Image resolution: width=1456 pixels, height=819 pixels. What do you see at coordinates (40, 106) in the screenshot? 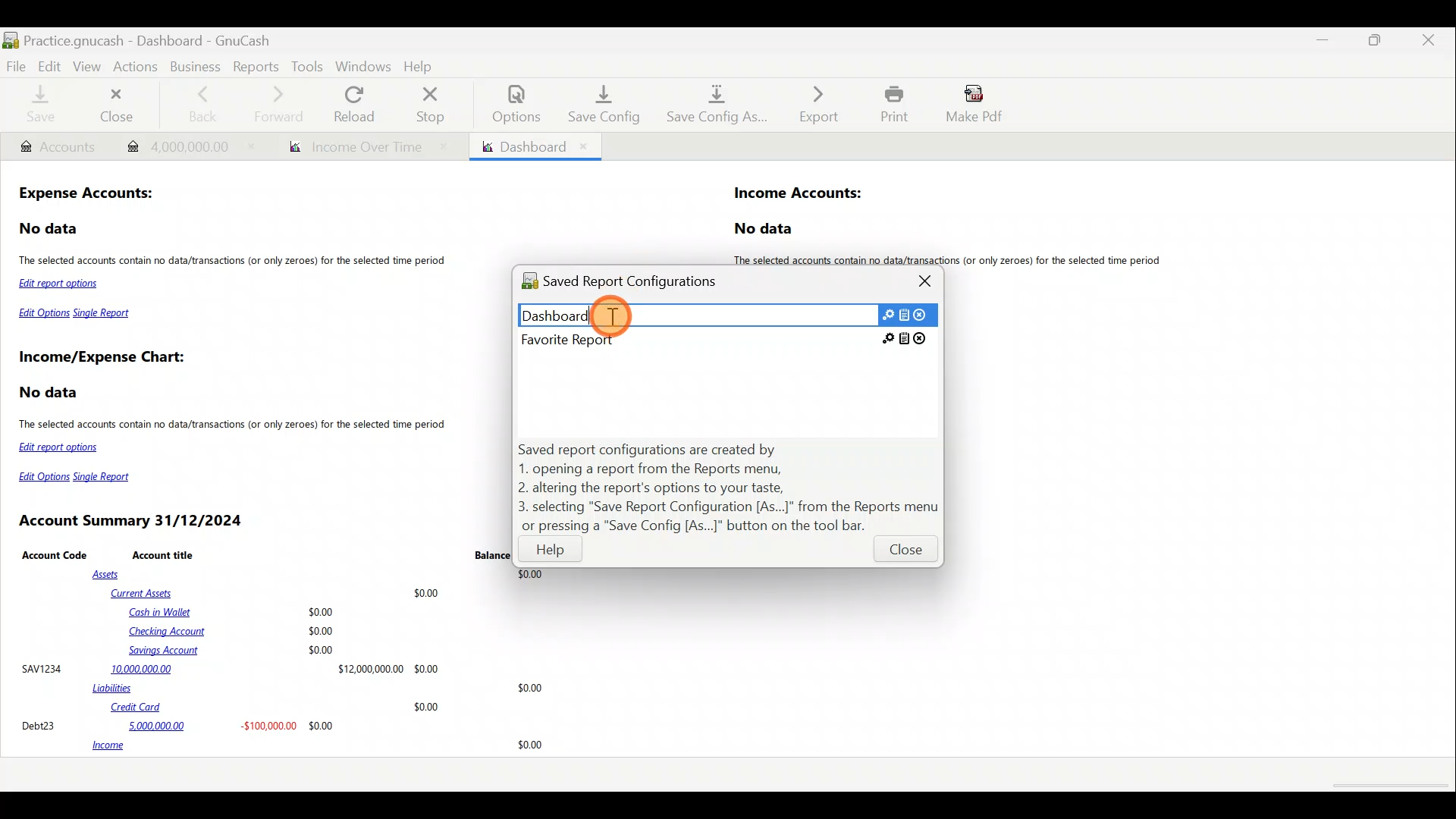
I see `Save` at bounding box center [40, 106].